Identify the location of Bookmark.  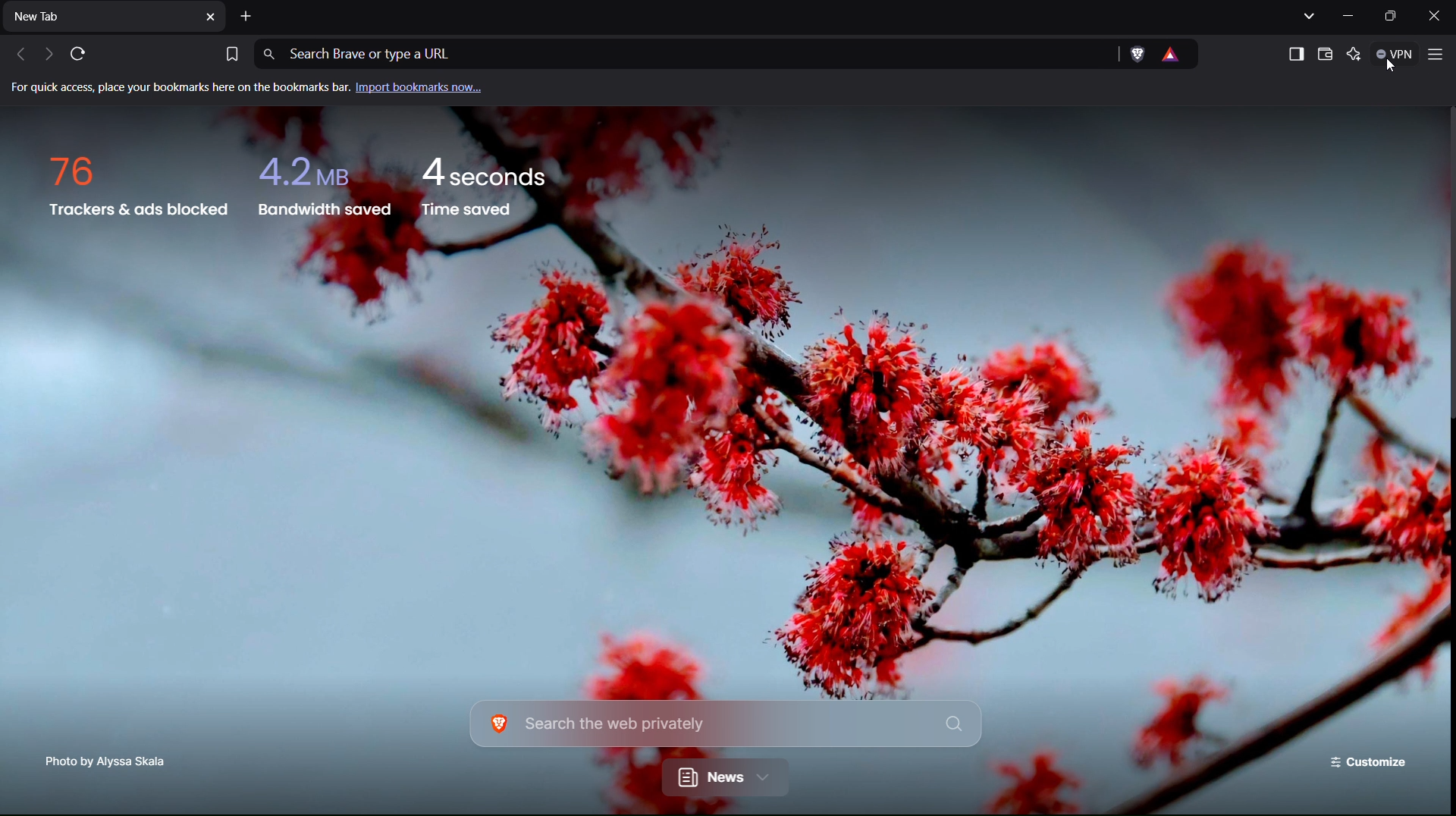
(231, 52).